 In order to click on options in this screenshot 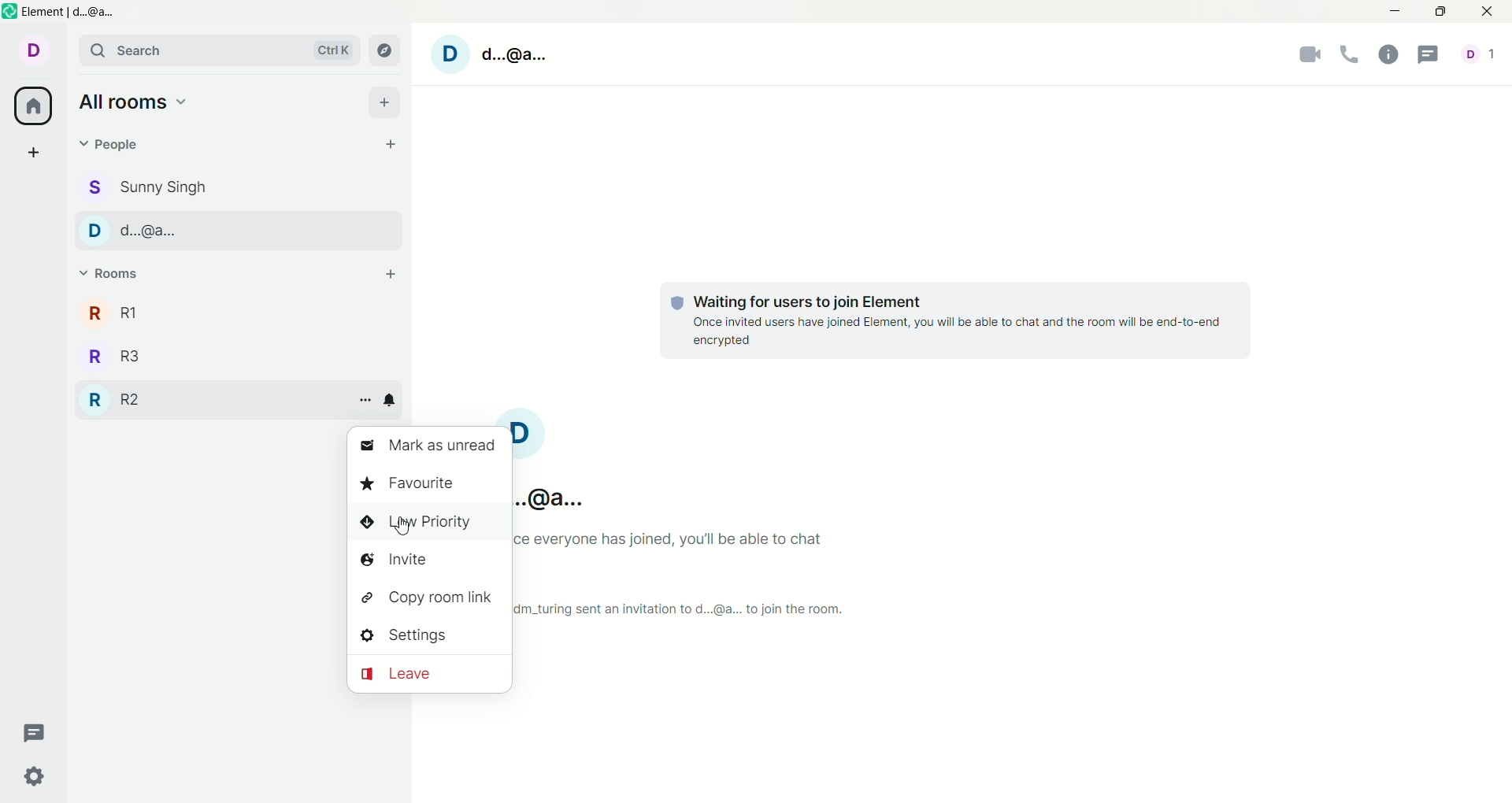, I will do `click(362, 399)`.